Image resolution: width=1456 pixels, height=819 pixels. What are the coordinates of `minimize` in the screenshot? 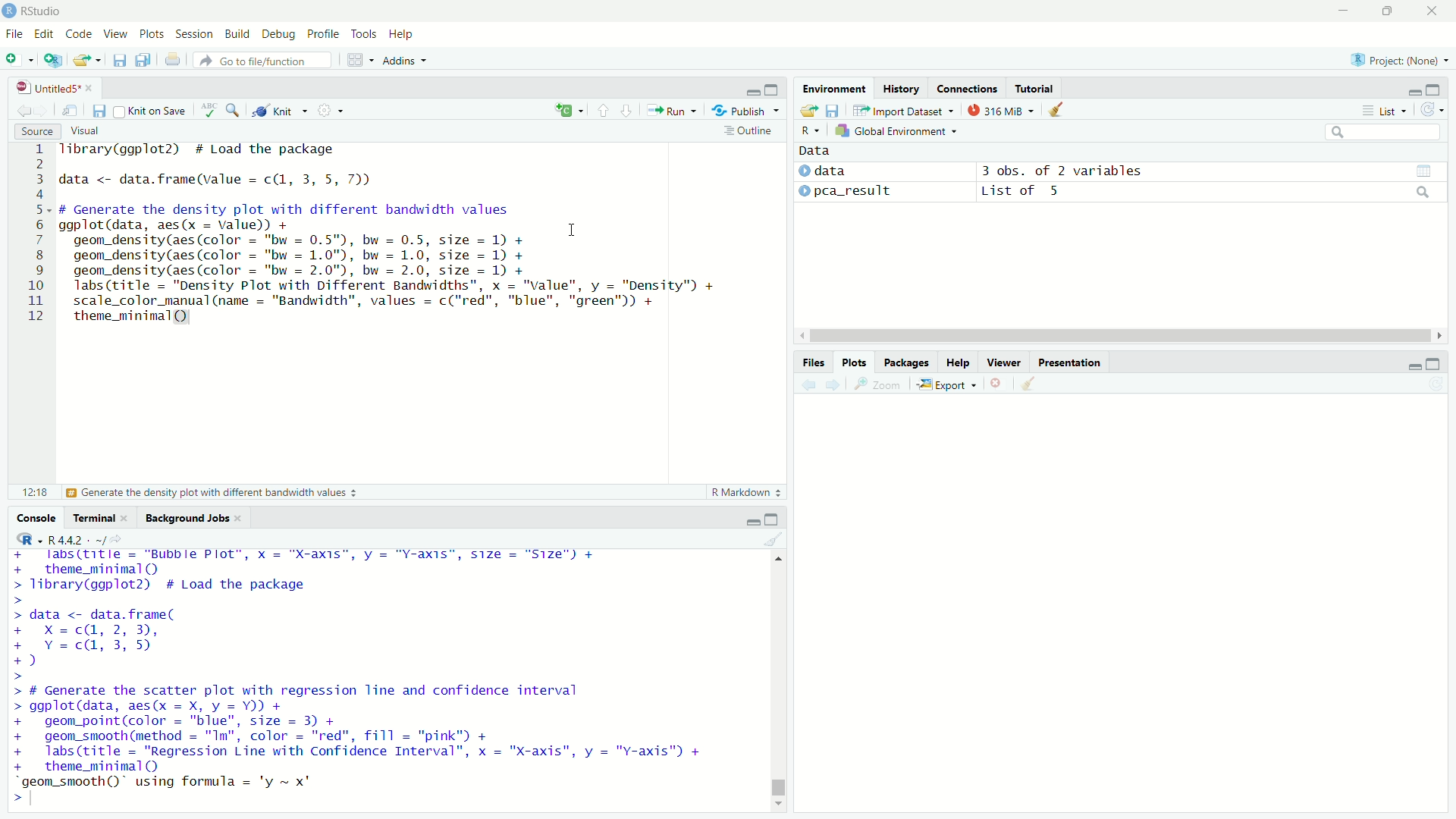 It's located at (1413, 93).